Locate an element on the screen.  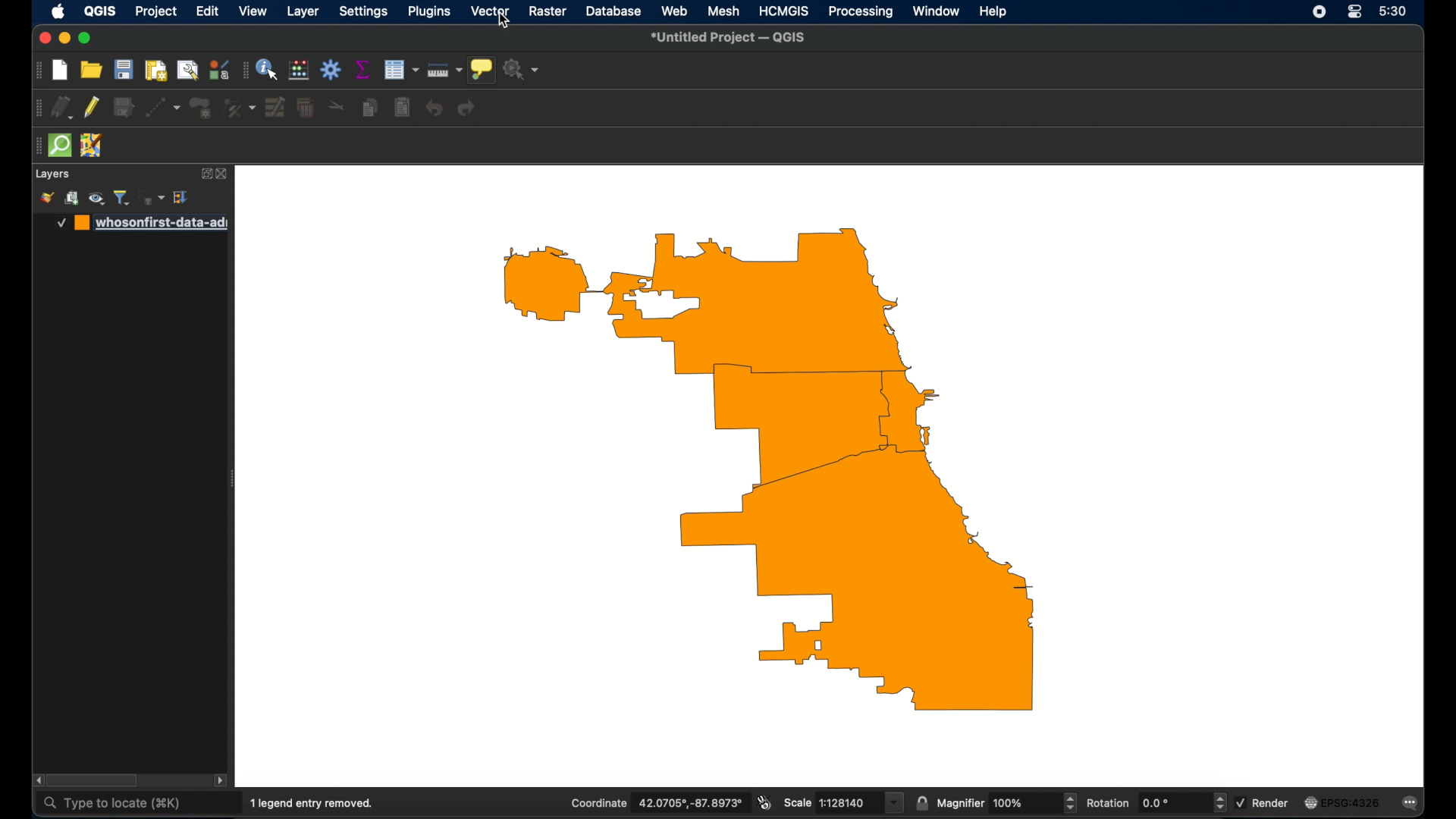
toolbox is located at coordinates (331, 70).